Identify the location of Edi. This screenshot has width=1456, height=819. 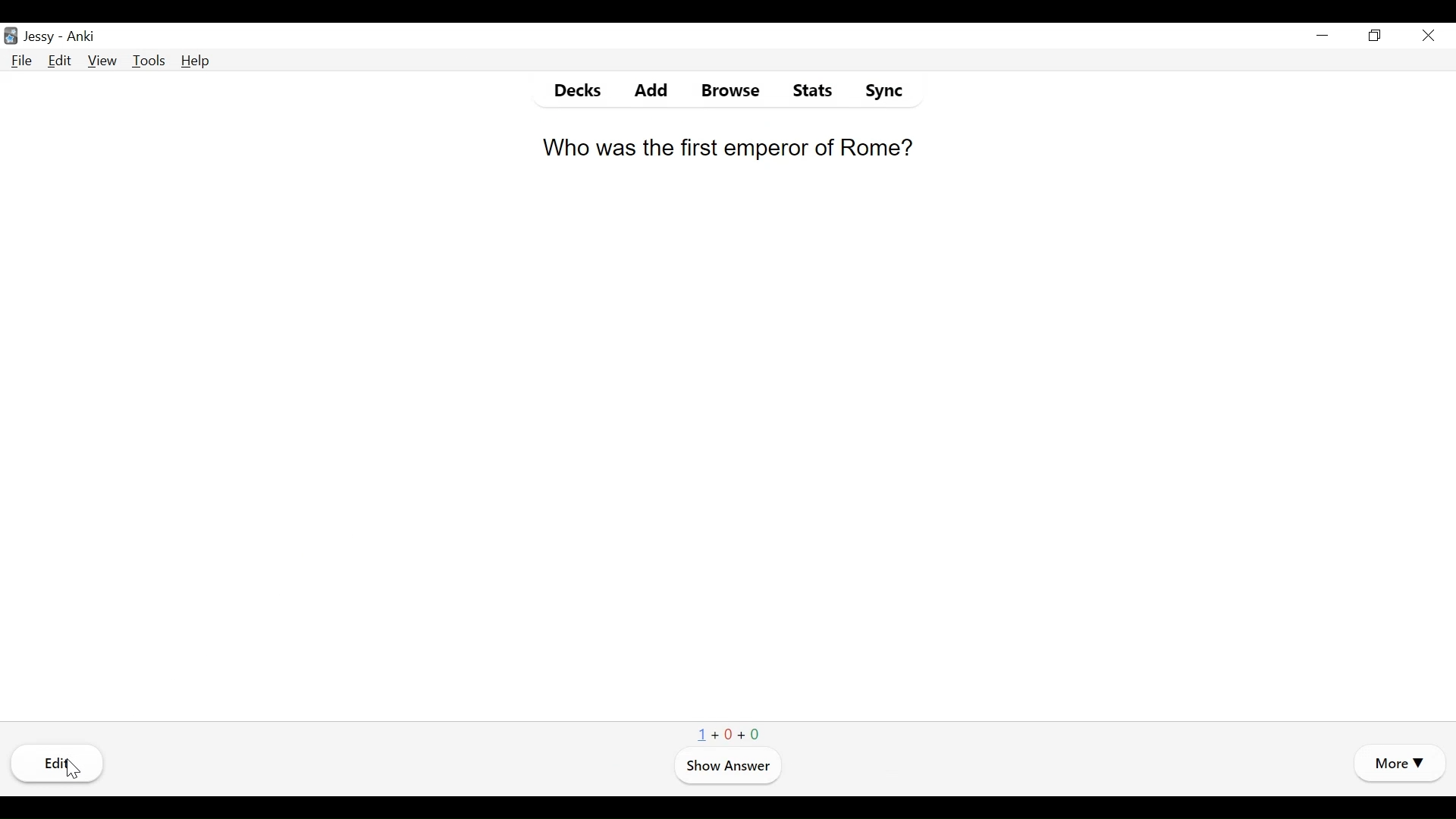
(60, 764).